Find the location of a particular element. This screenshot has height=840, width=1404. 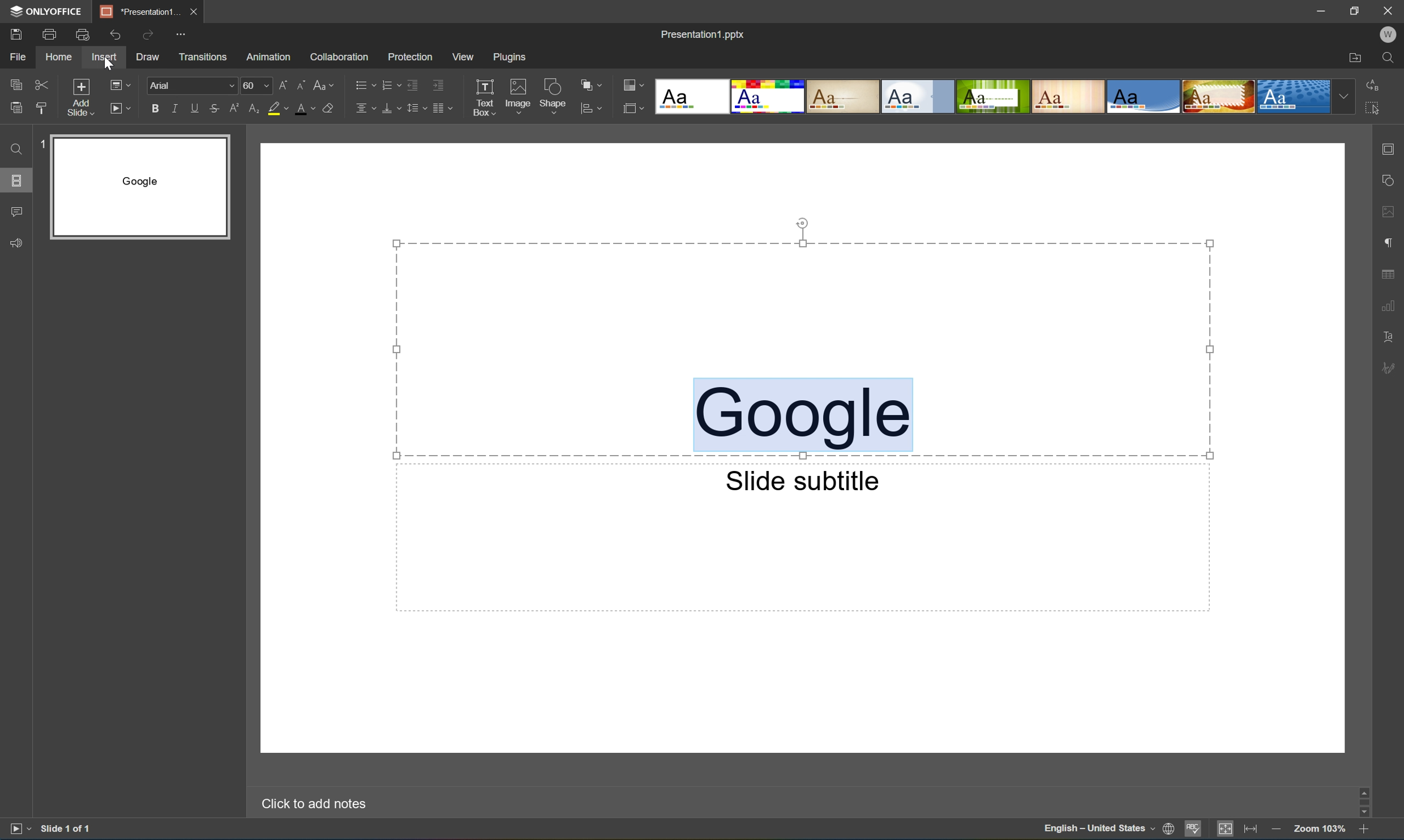

Find is located at coordinates (1390, 57).